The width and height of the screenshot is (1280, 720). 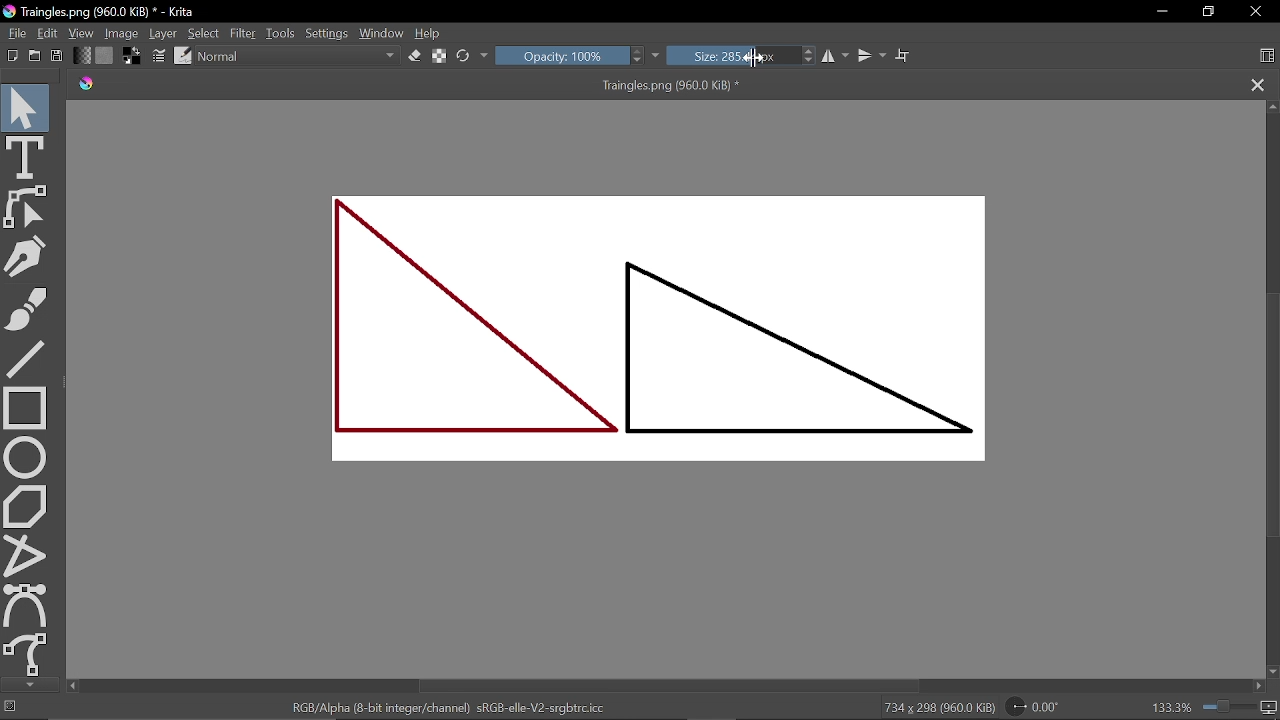 I want to click on Save, so click(x=56, y=57).